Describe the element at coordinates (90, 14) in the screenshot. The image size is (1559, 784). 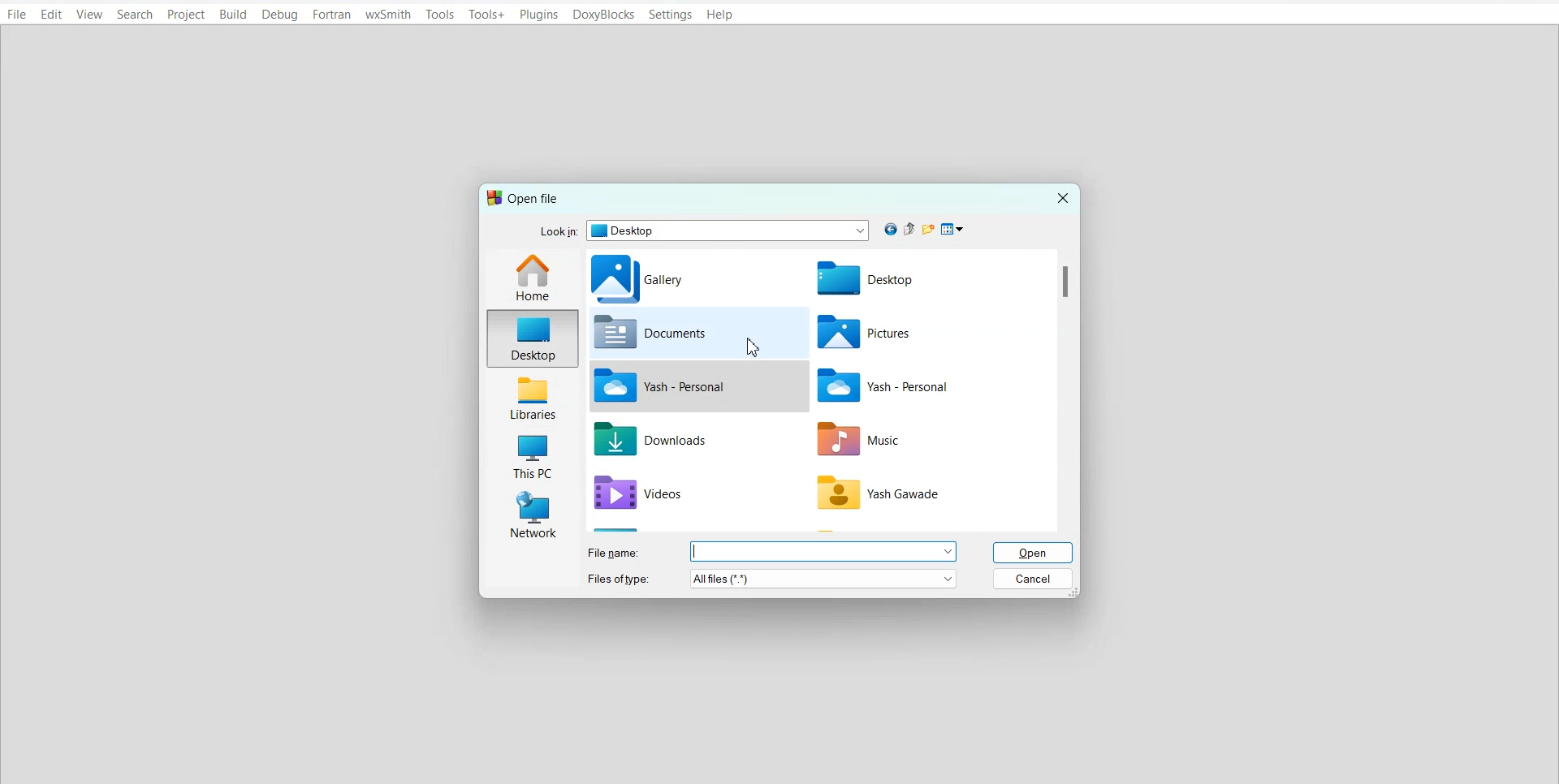
I see `View` at that location.